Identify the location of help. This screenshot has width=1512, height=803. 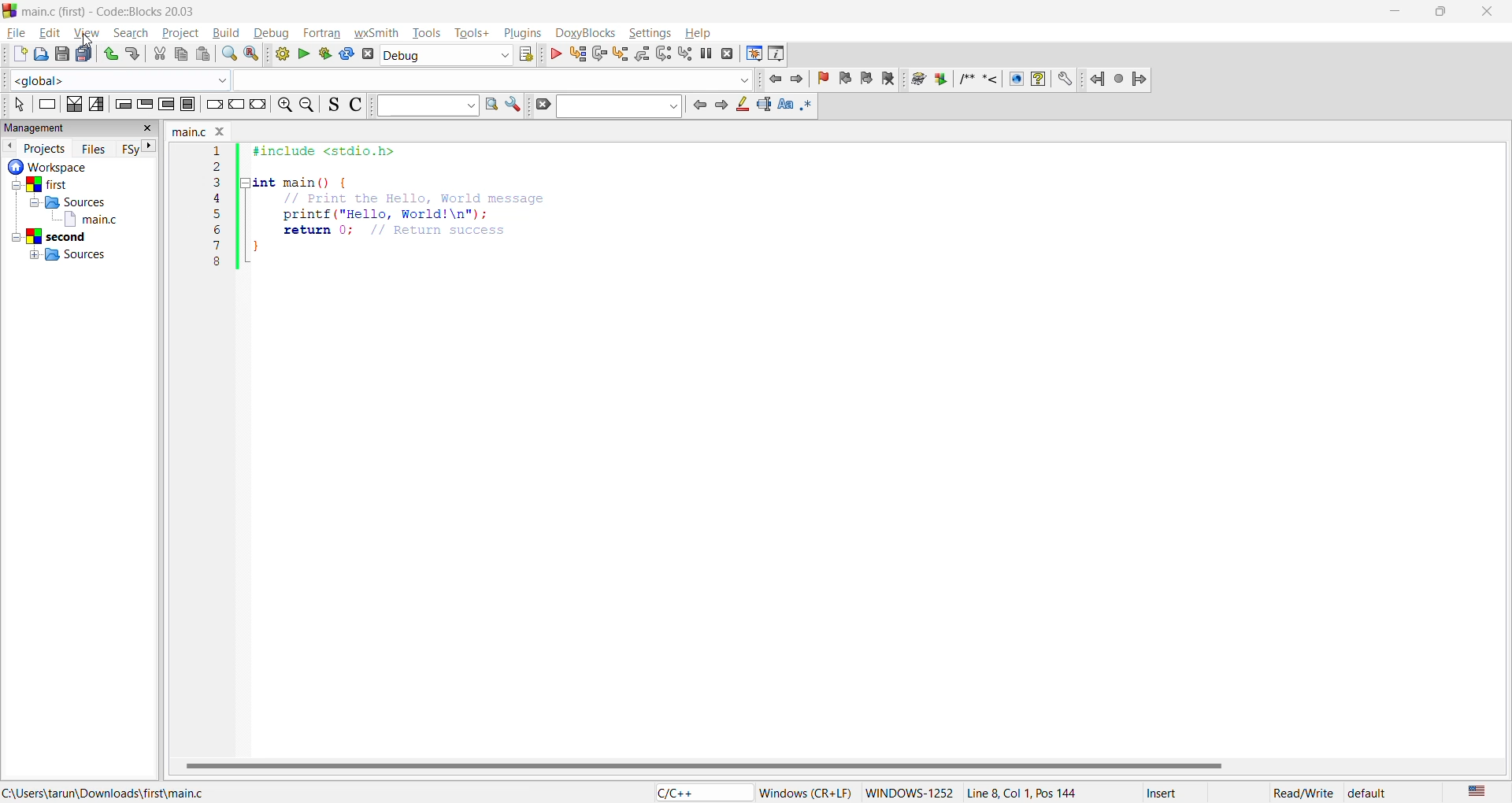
(1039, 79).